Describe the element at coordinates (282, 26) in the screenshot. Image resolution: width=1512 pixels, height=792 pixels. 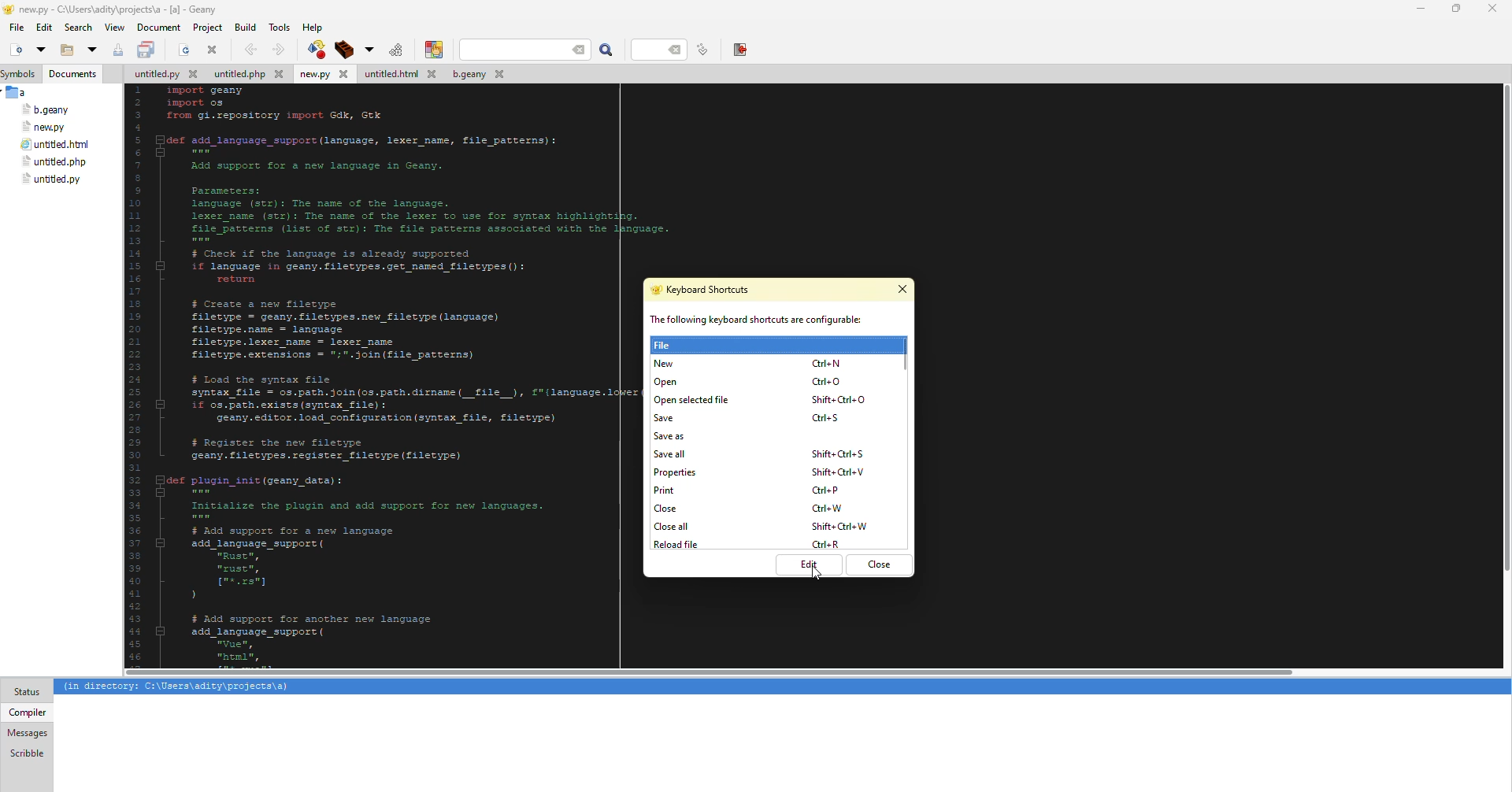
I see `tools` at that location.